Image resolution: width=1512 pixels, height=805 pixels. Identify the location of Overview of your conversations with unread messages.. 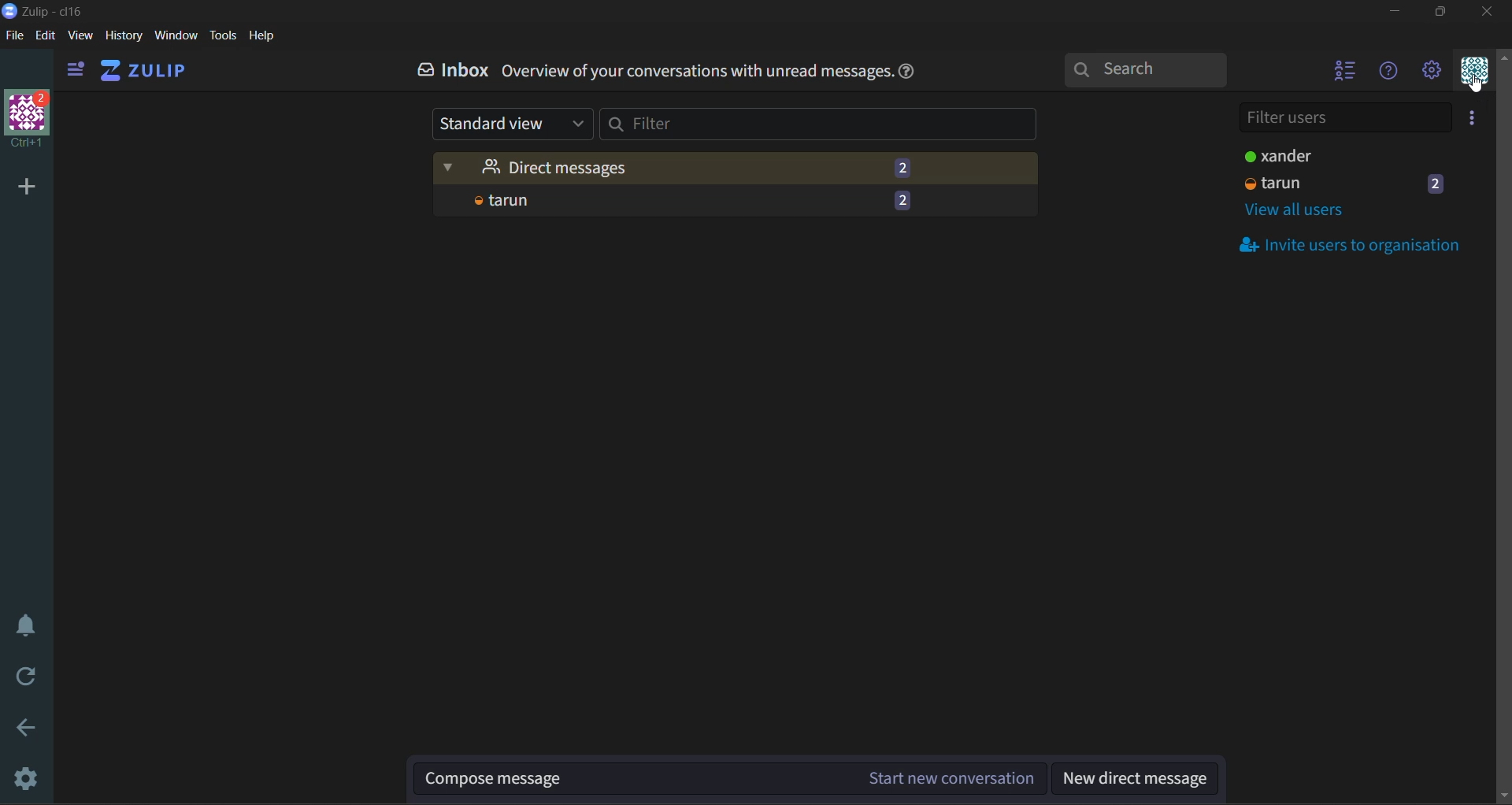
(696, 73).